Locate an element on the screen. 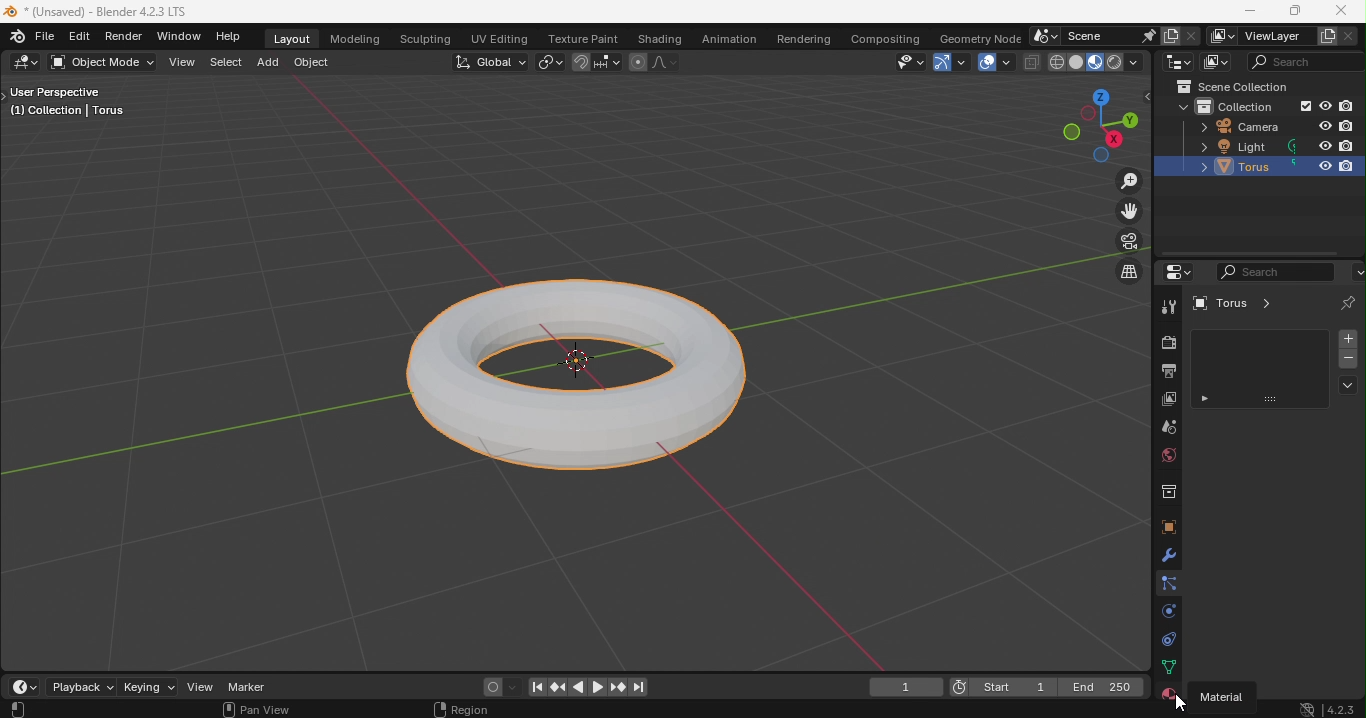  Marker is located at coordinates (247, 688).